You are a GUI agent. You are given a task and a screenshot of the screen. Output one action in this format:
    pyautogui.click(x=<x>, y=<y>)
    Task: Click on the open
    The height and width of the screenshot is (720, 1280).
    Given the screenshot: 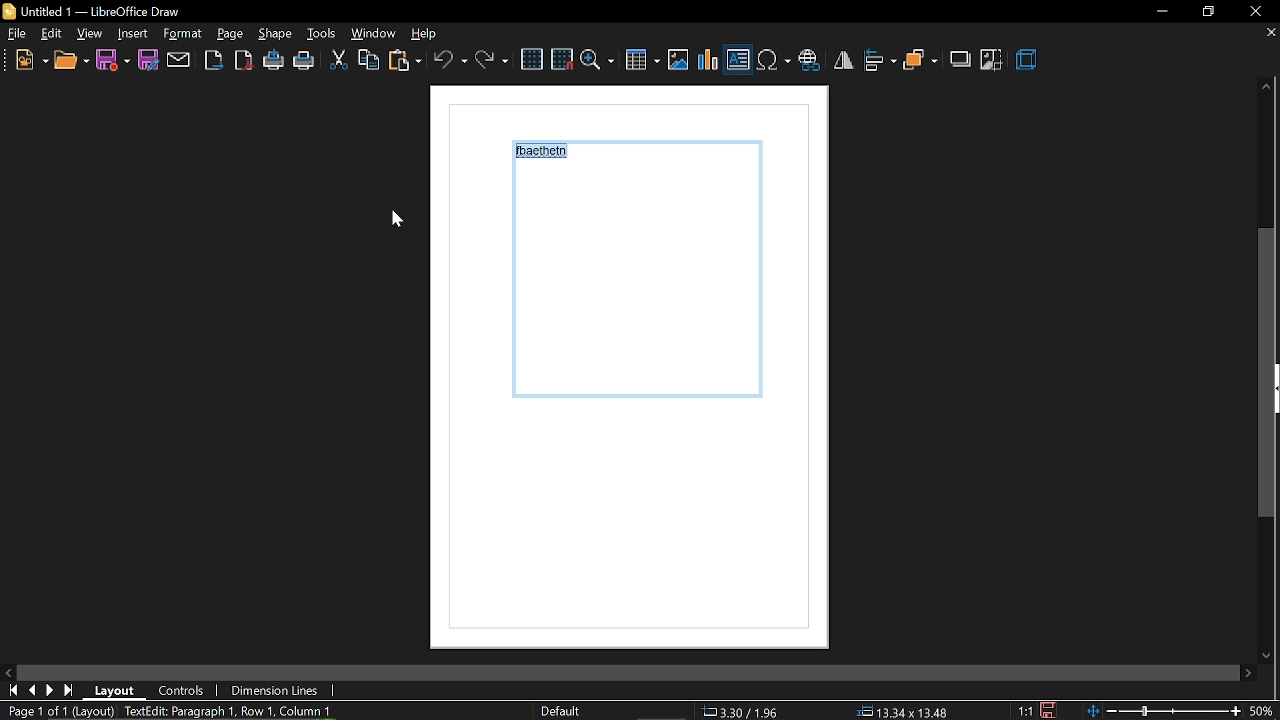 What is the action you would take?
    pyautogui.click(x=70, y=61)
    